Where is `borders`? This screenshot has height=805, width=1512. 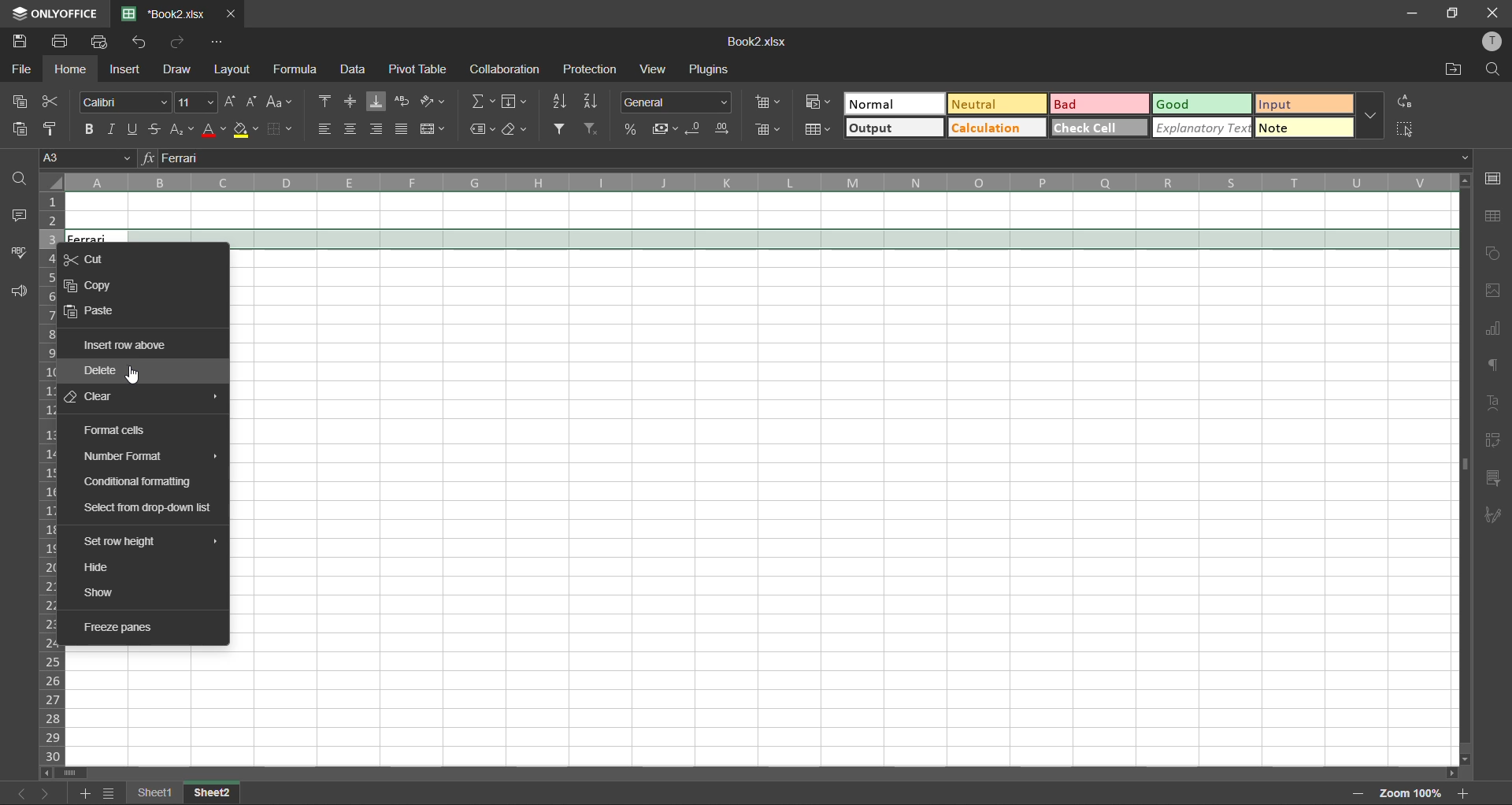 borders is located at coordinates (278, 128).